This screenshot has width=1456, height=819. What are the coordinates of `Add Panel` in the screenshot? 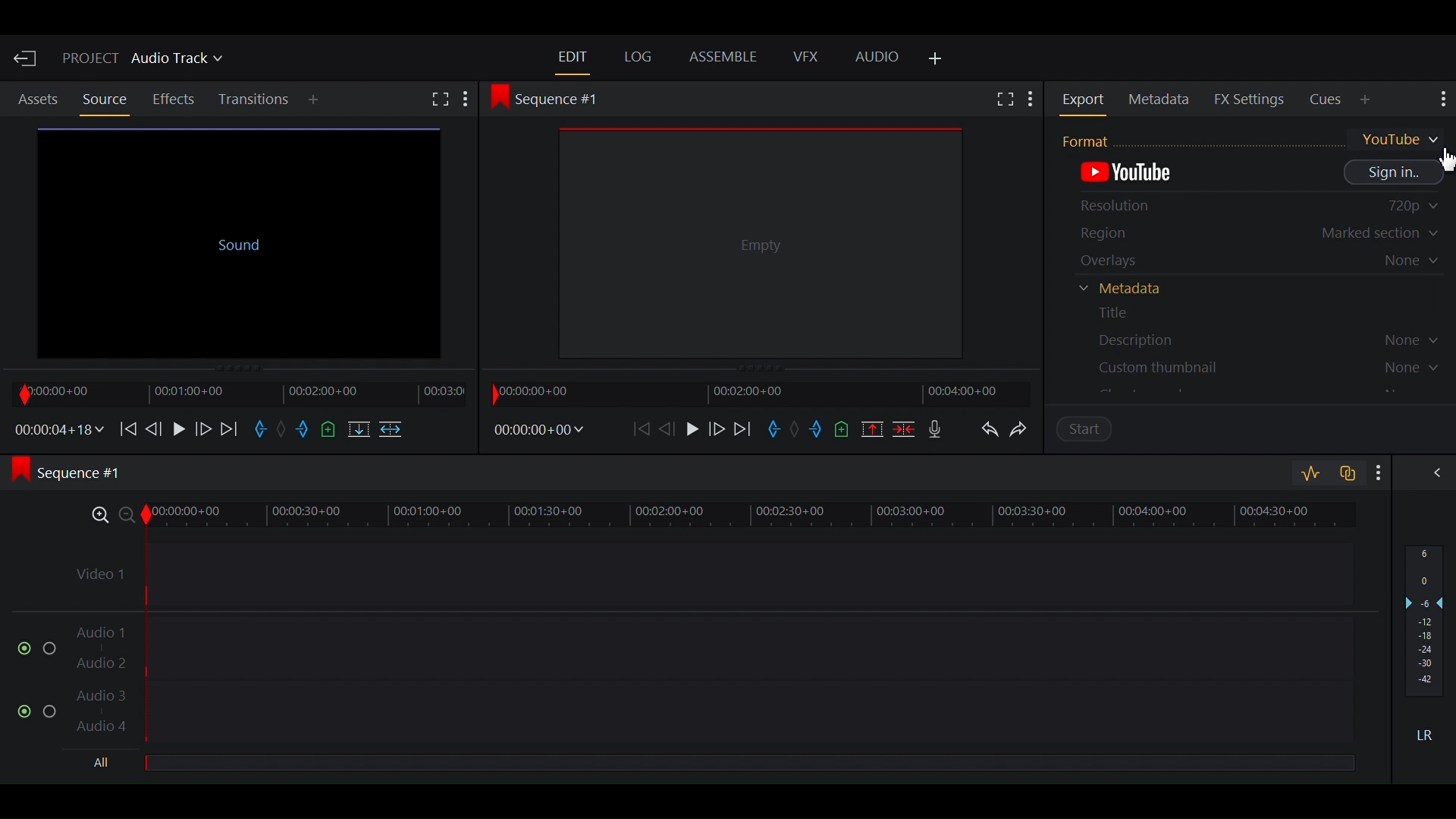 It's located at (316, 101).